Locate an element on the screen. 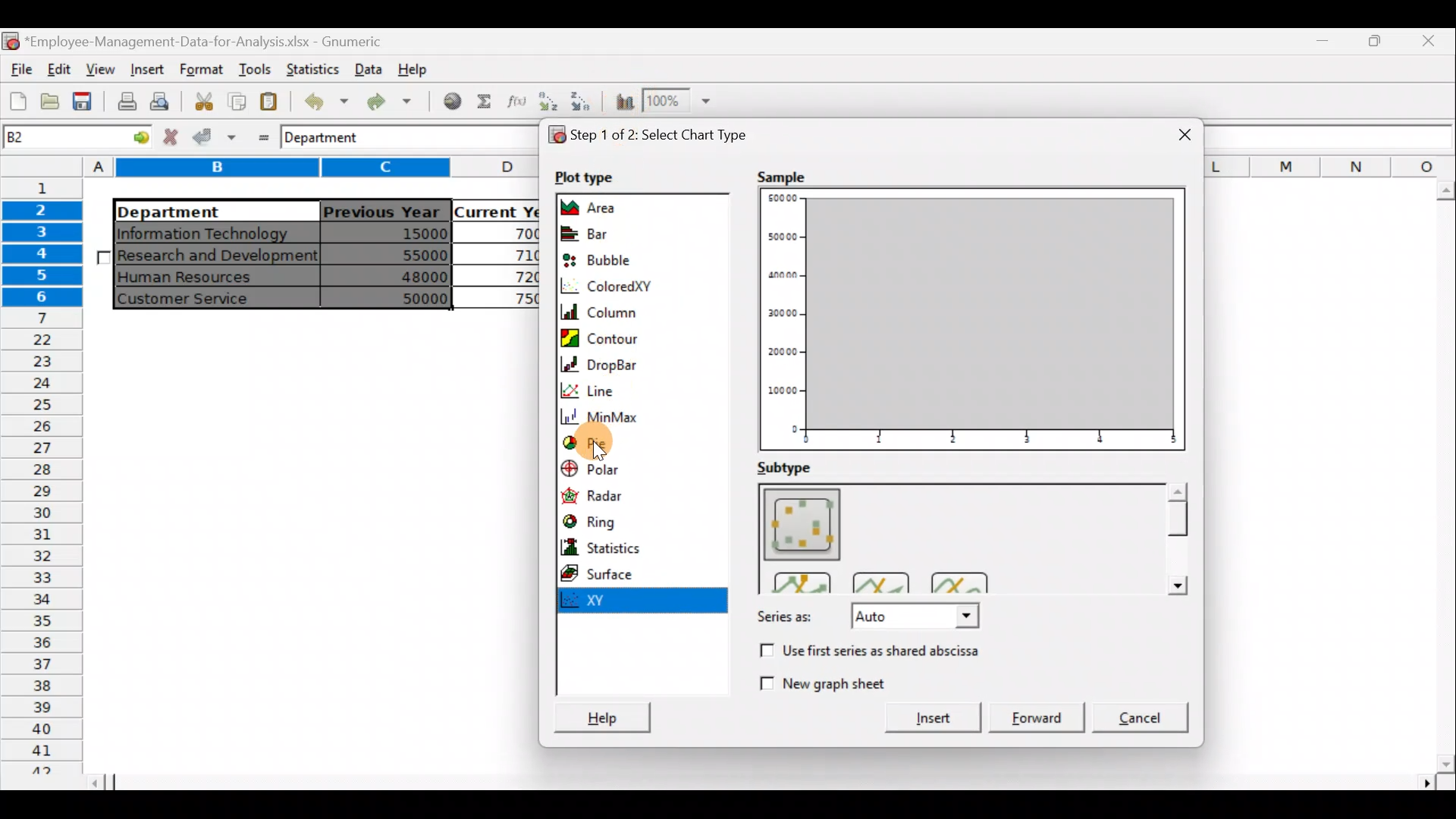 The image size is (1456, 819). Scroll bar is located at coordinates (1175, 538).